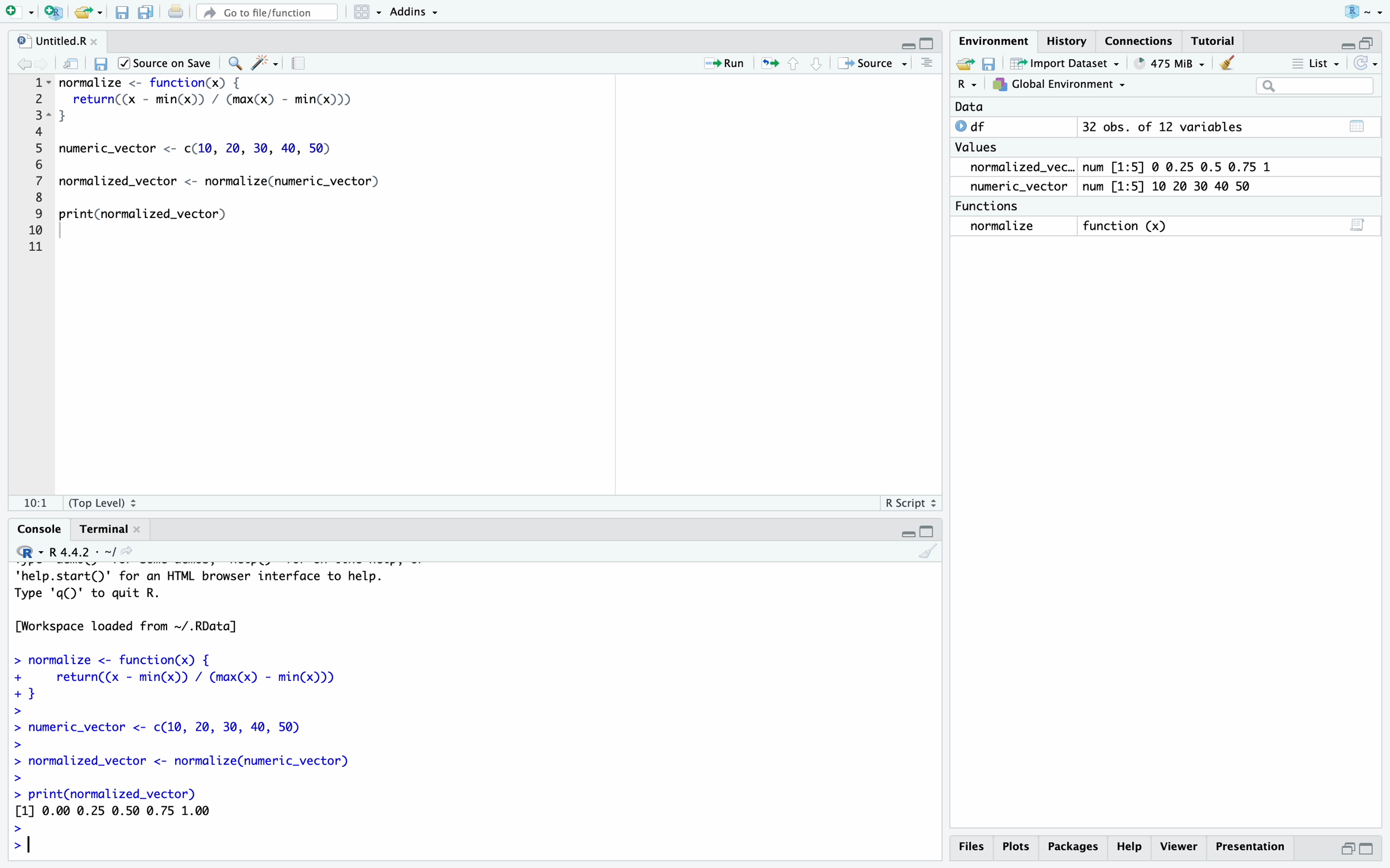 The height and width of the screenshot is (868, 1390). I want to click on Maximize, so click(929, 44).